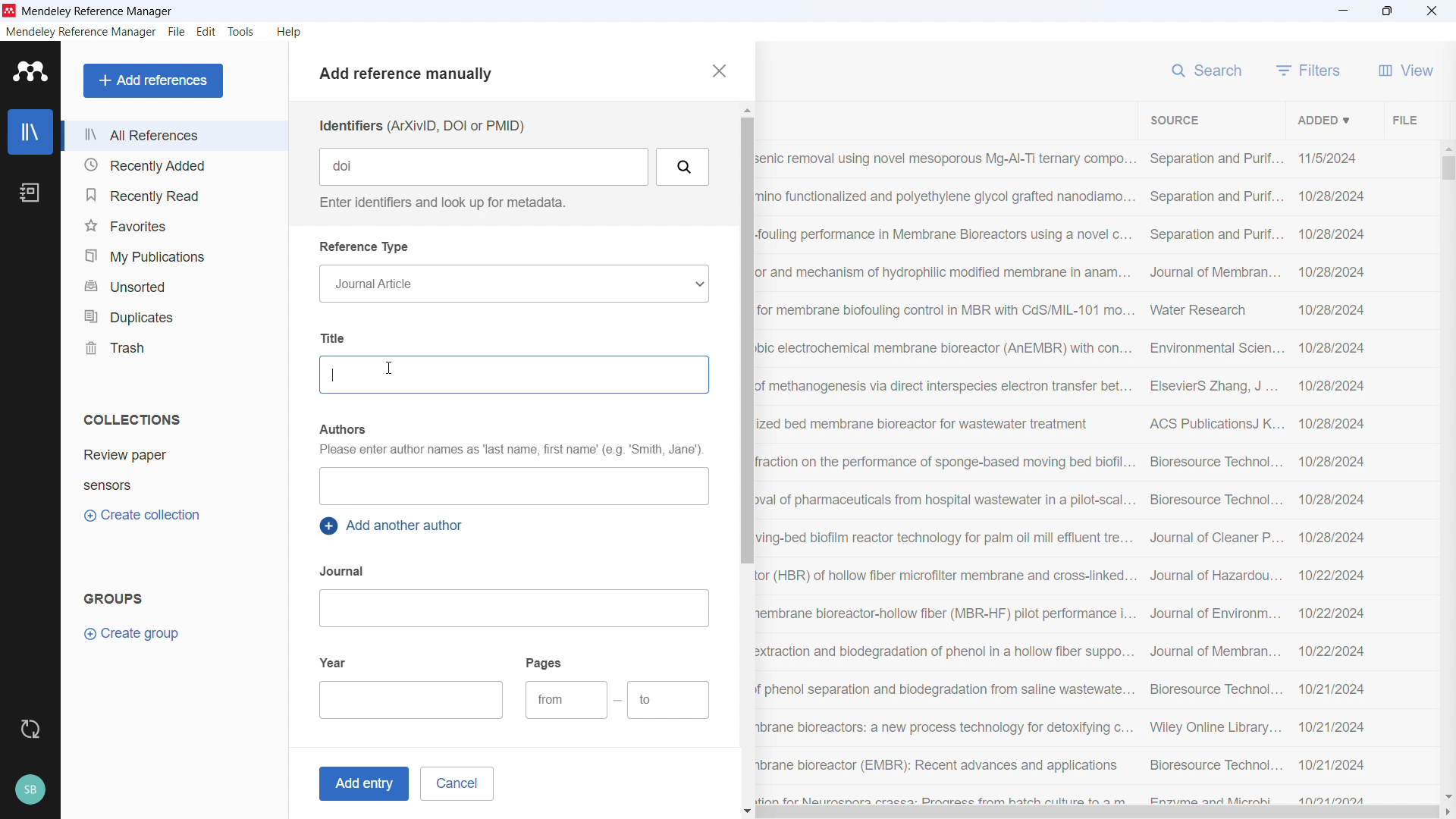  Describe the element at coordinates (1322, 119) in the screenshot. I see `Sort by date added ` at that location.